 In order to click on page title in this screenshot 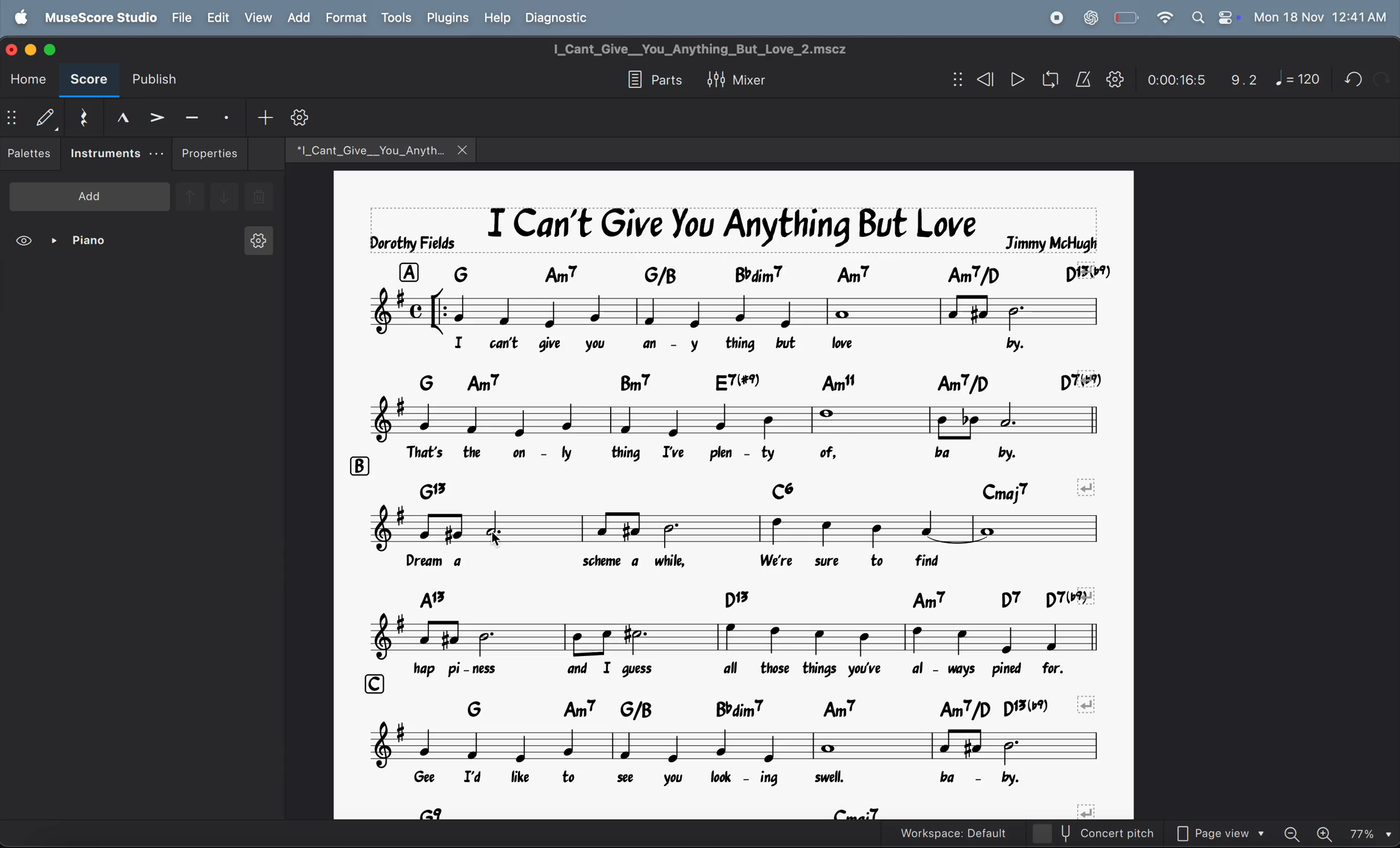, I will do `click(697, 47)`.